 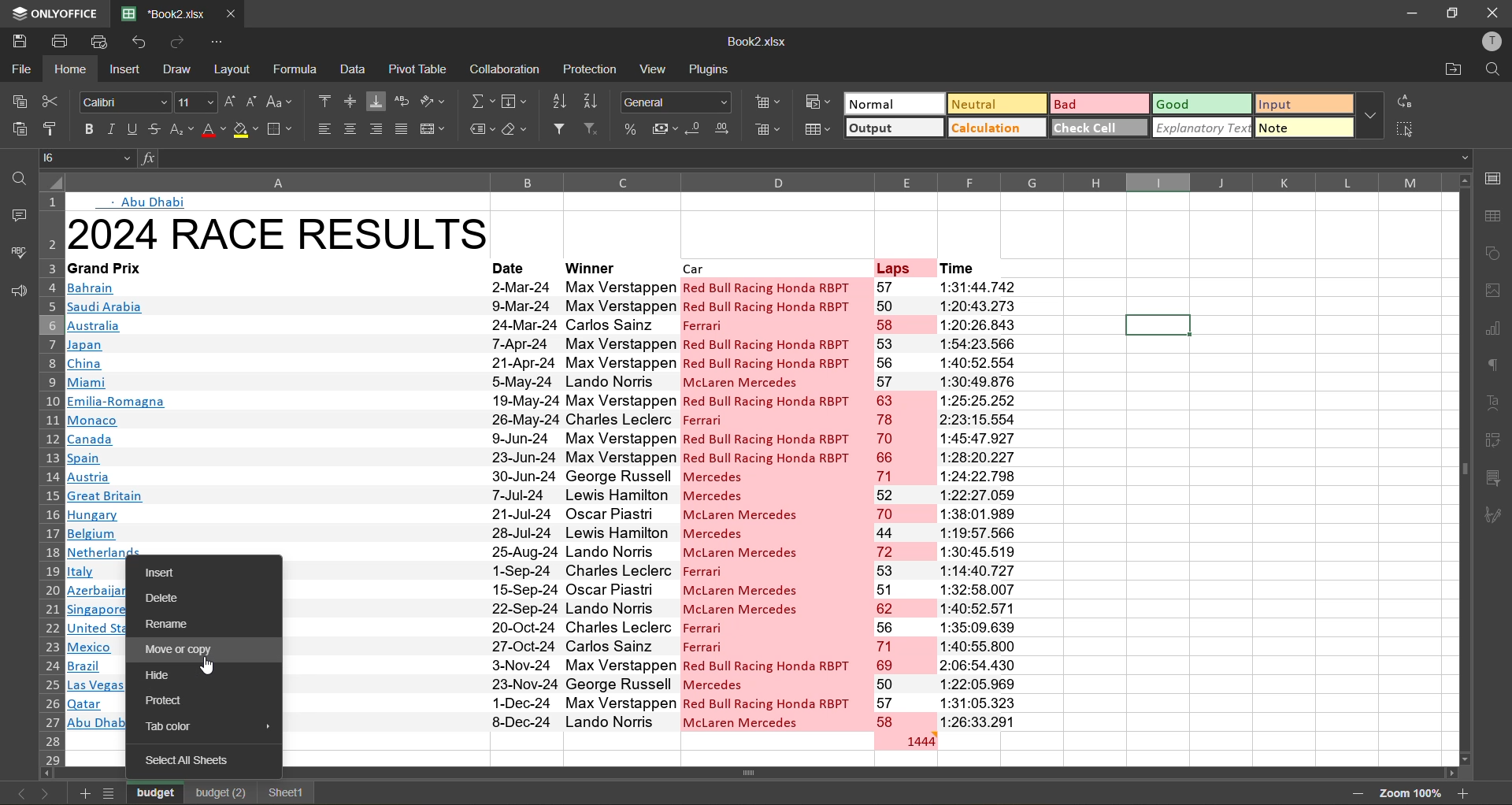 I want to click on delete cells, so click(x=769, y=131).